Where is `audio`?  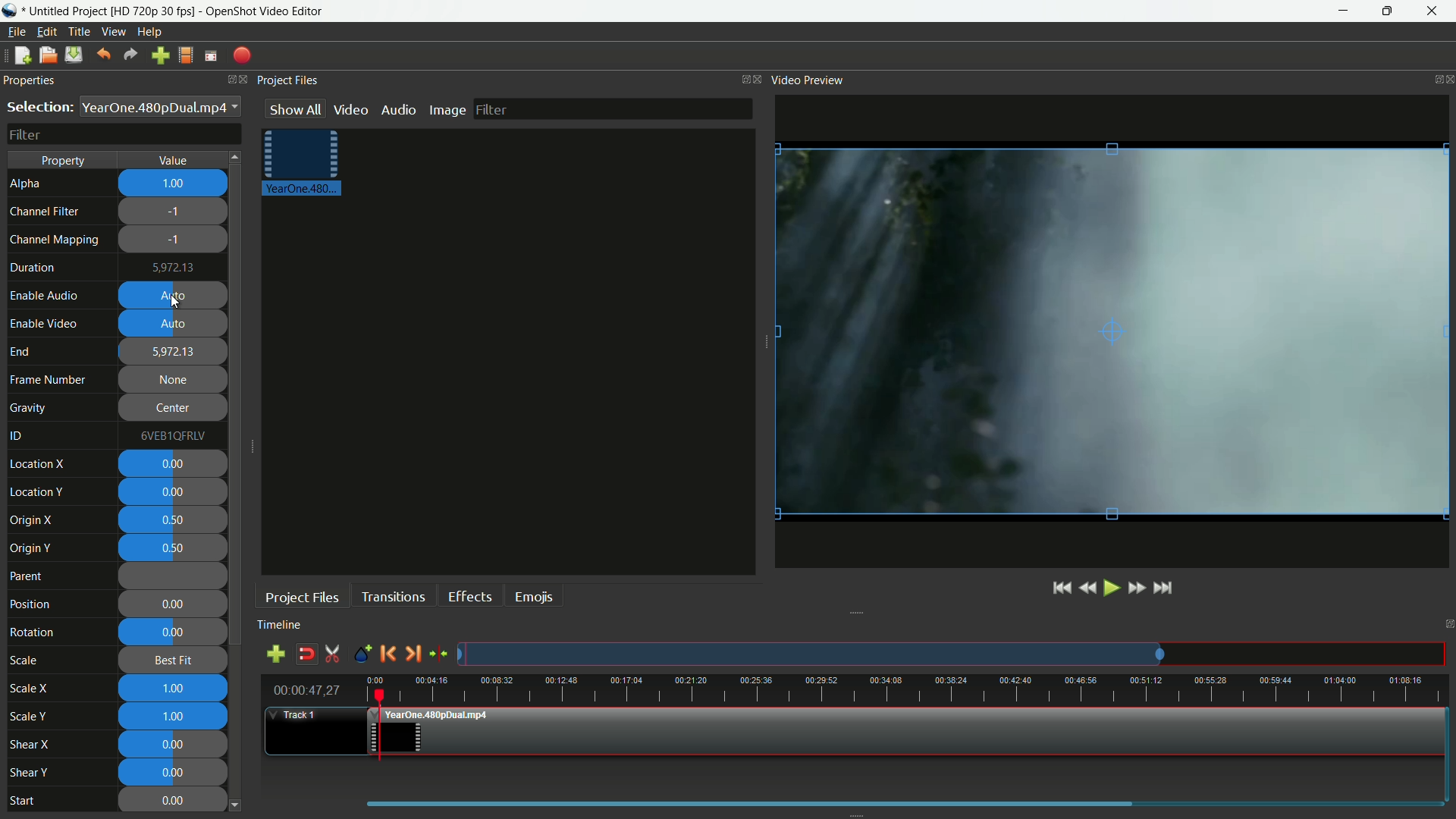 audio is located at coordinates (400, 108).